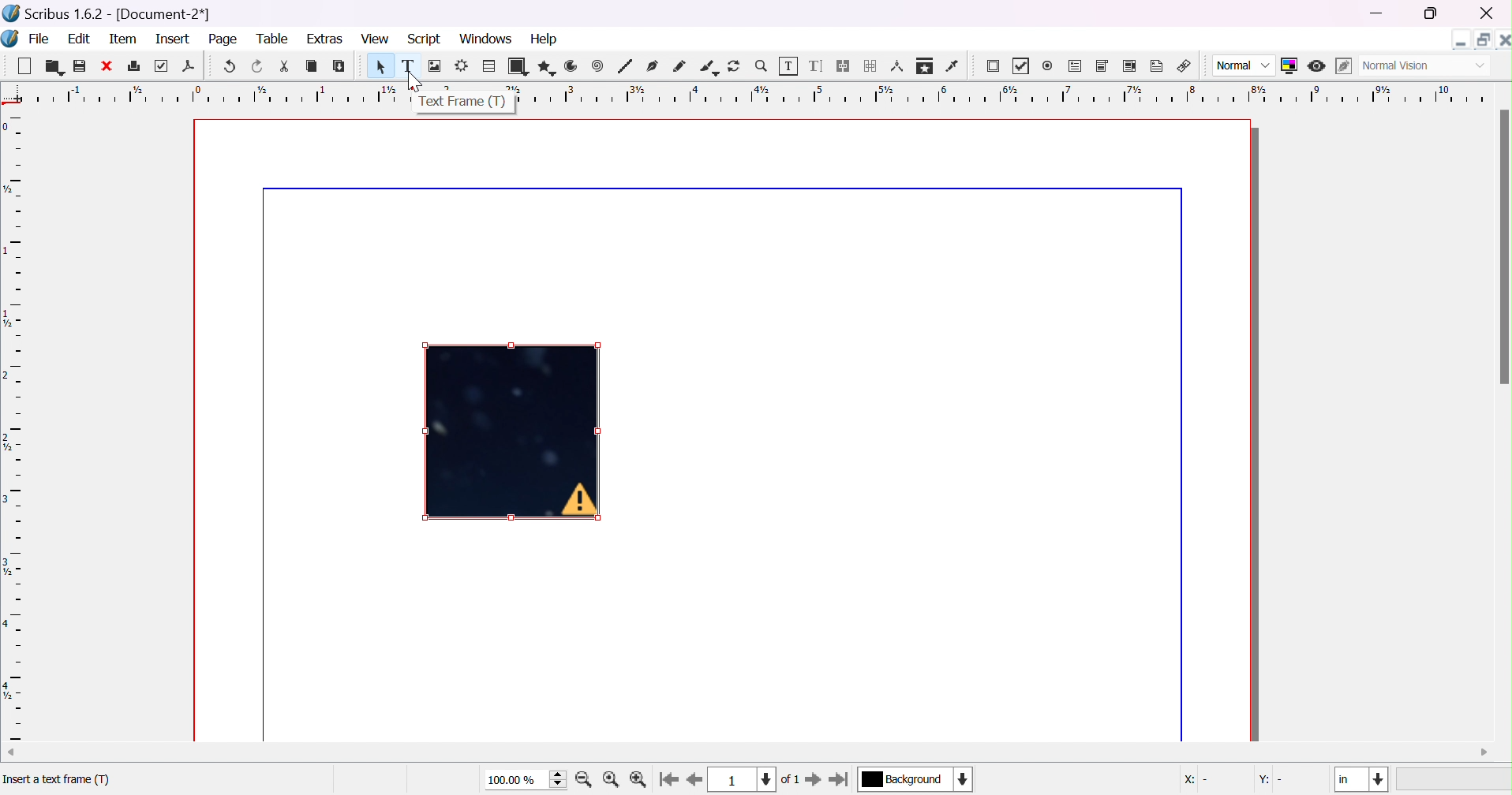 The height and width of the screenshot is (795, 1512). I want to click on radio button, so click(1049, 66).